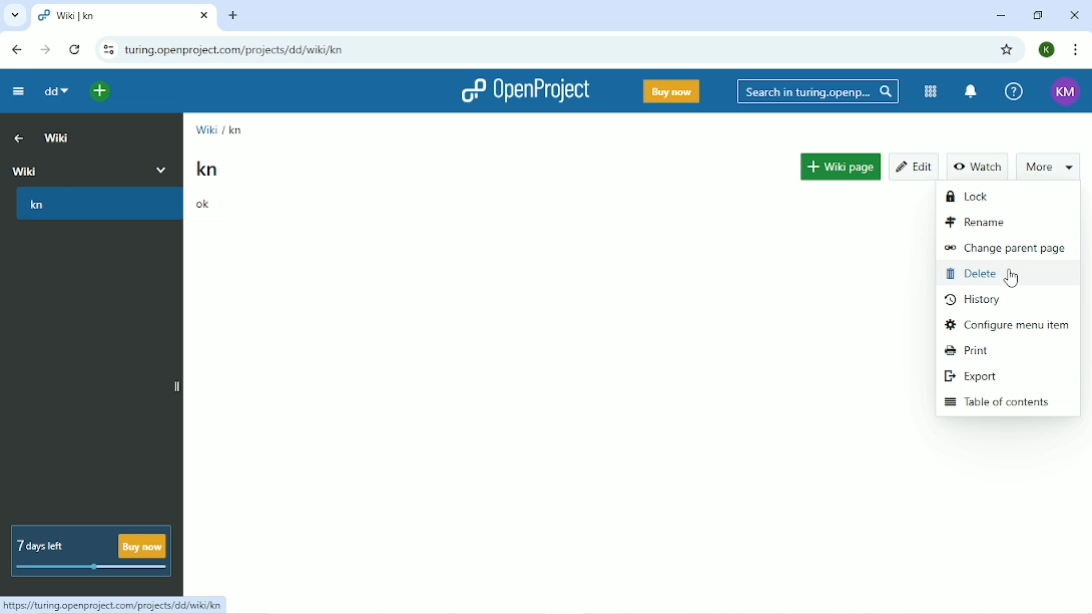 This screenshot has height=614, width=1092. What do you see at coordinates (16, 50) in the screenshot?
I see `Back` at bounding box center [16, 50].